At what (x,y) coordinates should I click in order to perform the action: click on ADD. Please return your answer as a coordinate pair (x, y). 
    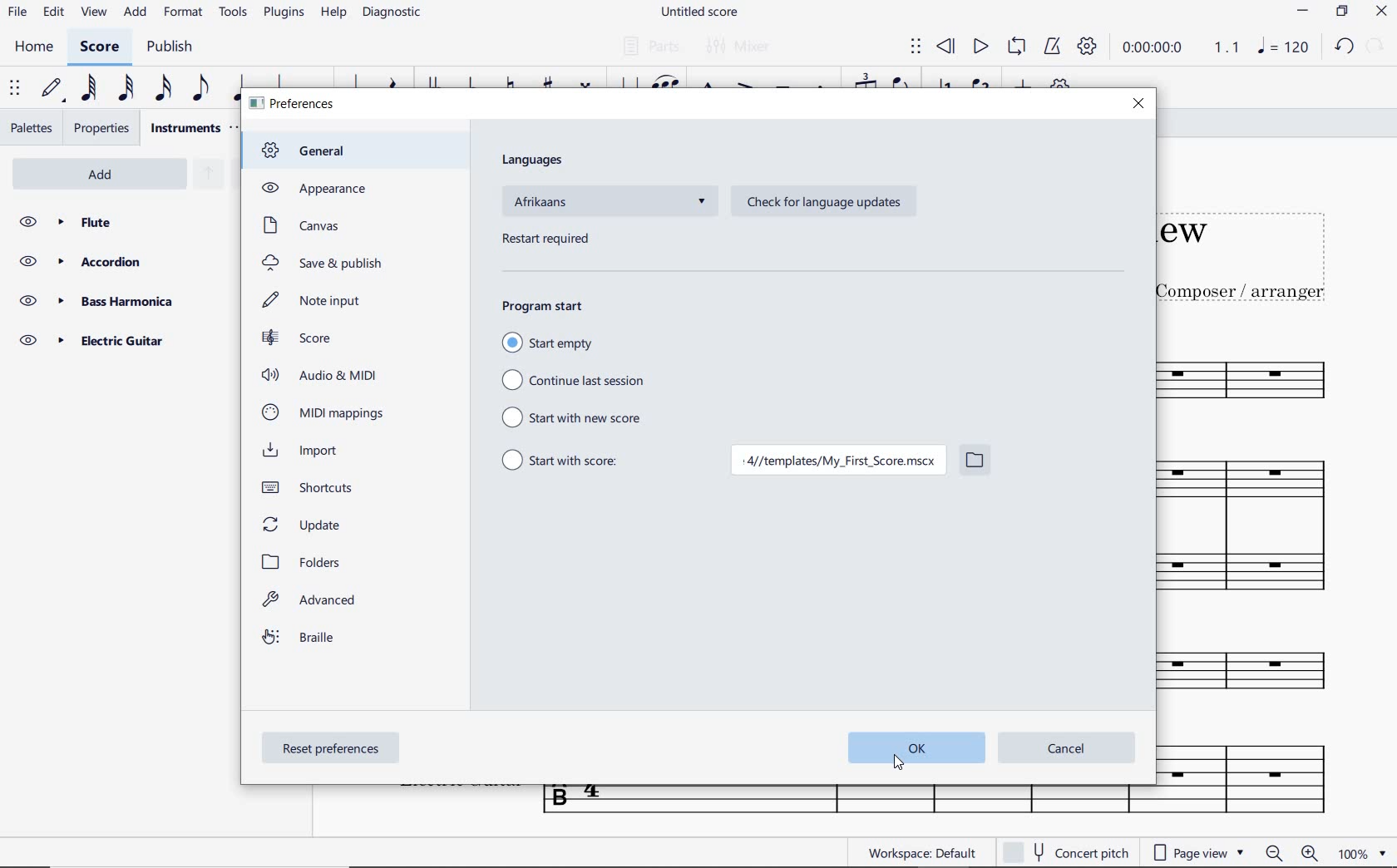
    Looking at the image, I should click on (106, 172).